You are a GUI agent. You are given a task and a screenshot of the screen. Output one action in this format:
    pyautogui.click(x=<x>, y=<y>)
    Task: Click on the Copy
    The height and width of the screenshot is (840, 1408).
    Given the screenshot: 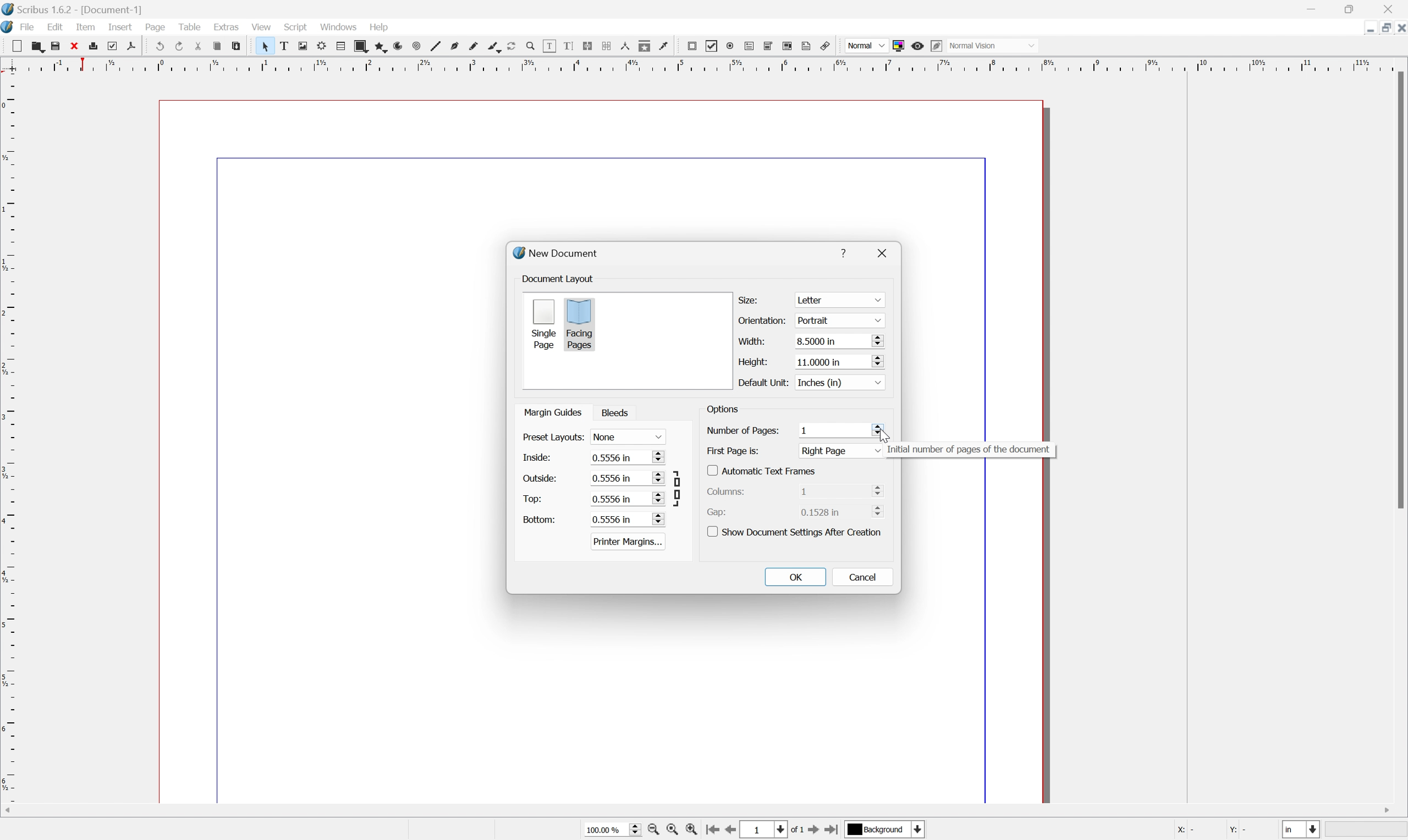 What is the action you would take?
    pyautogui.click(x=220, y=47)
    